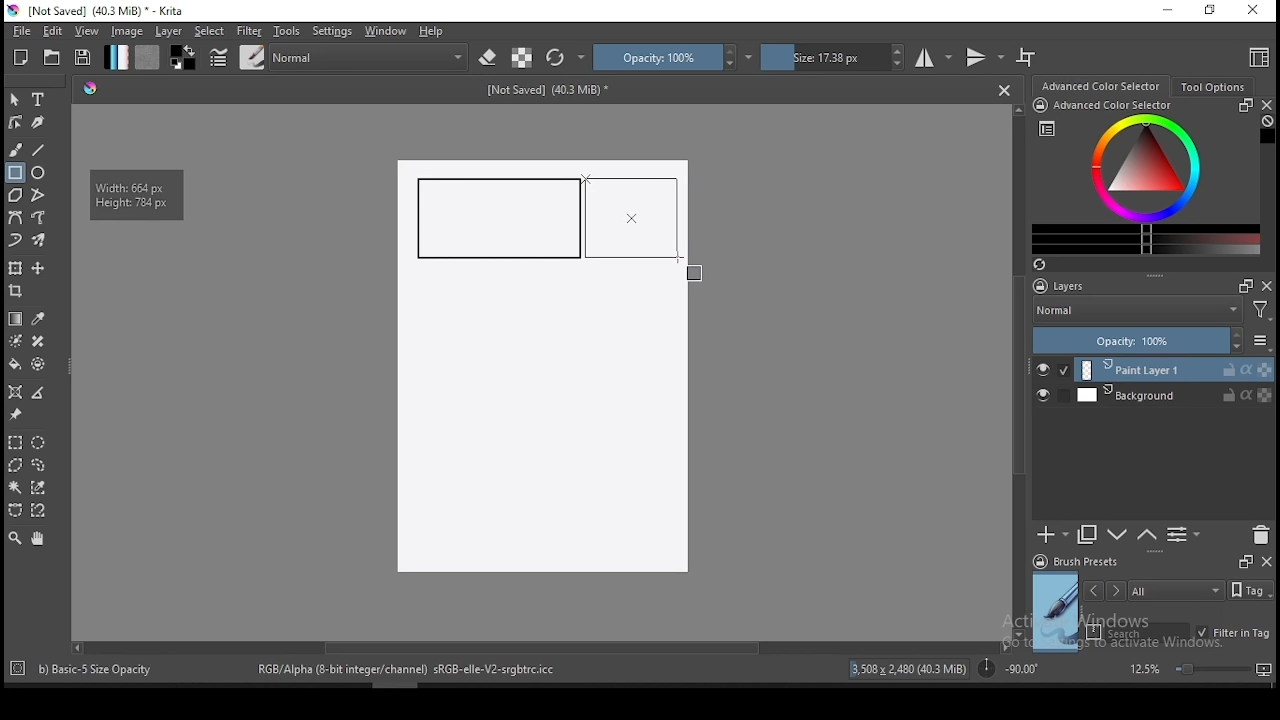 The height and width of the screenshot is (720, 1280). What do you see at coordinates (1053, 534) in the screenshot?
I see `new layer` at bounding box center [1053, 534].